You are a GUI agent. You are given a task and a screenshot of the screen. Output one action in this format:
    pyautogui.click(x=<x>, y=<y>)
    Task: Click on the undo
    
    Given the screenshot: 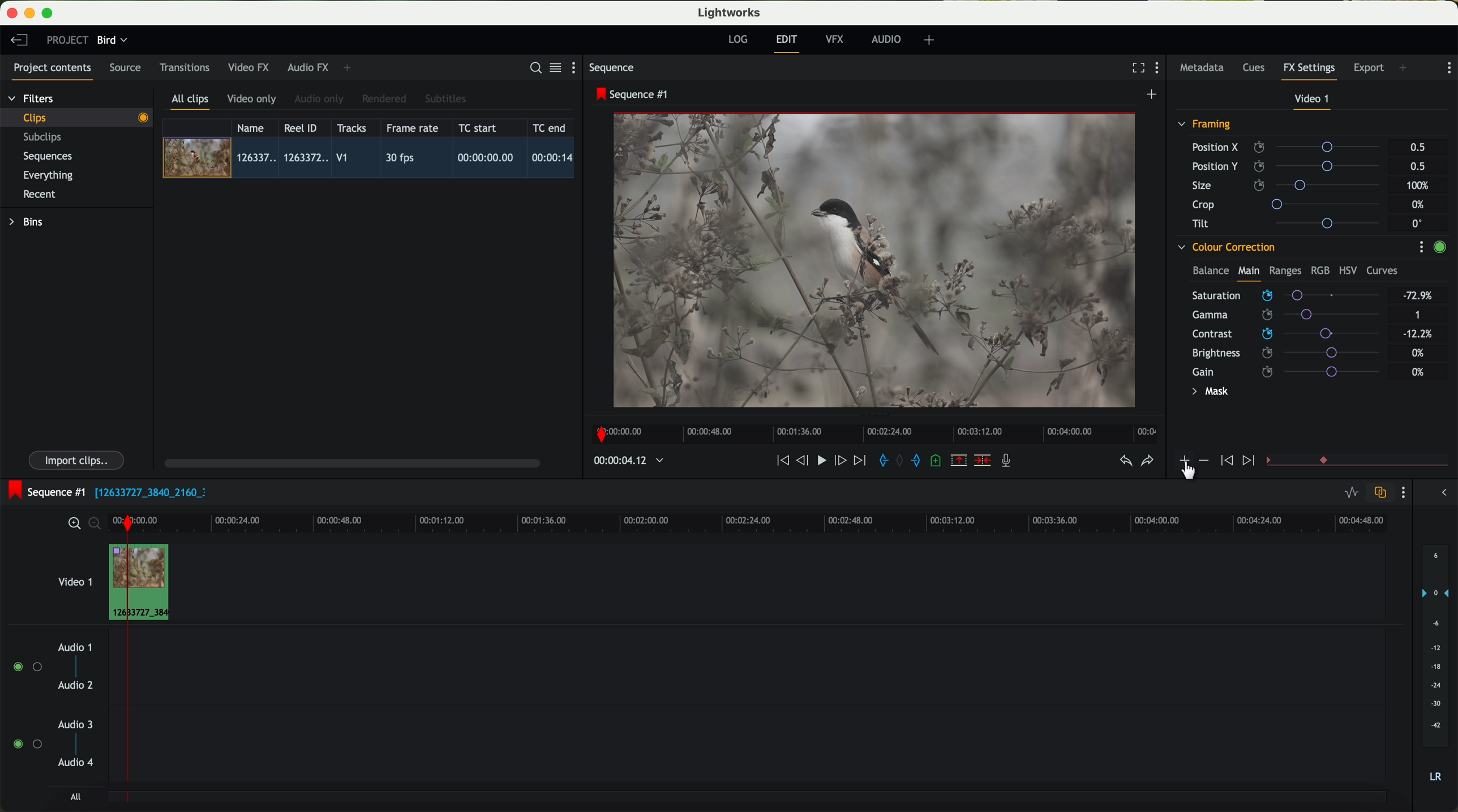 What is the action you would take?
    pyautogui.click(x=1125, y=461)
    